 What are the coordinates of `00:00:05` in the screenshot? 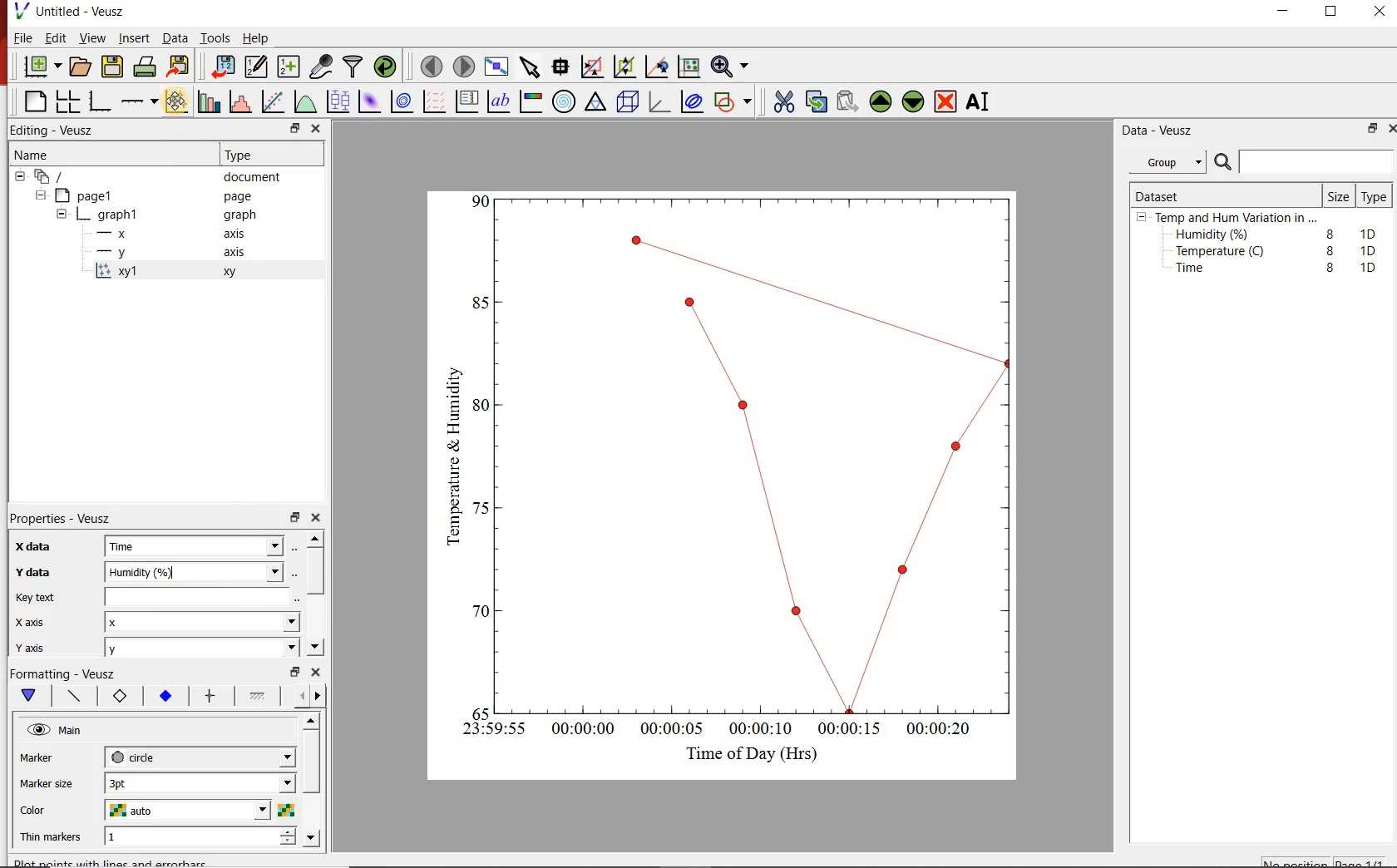 It's located at (667, 732).